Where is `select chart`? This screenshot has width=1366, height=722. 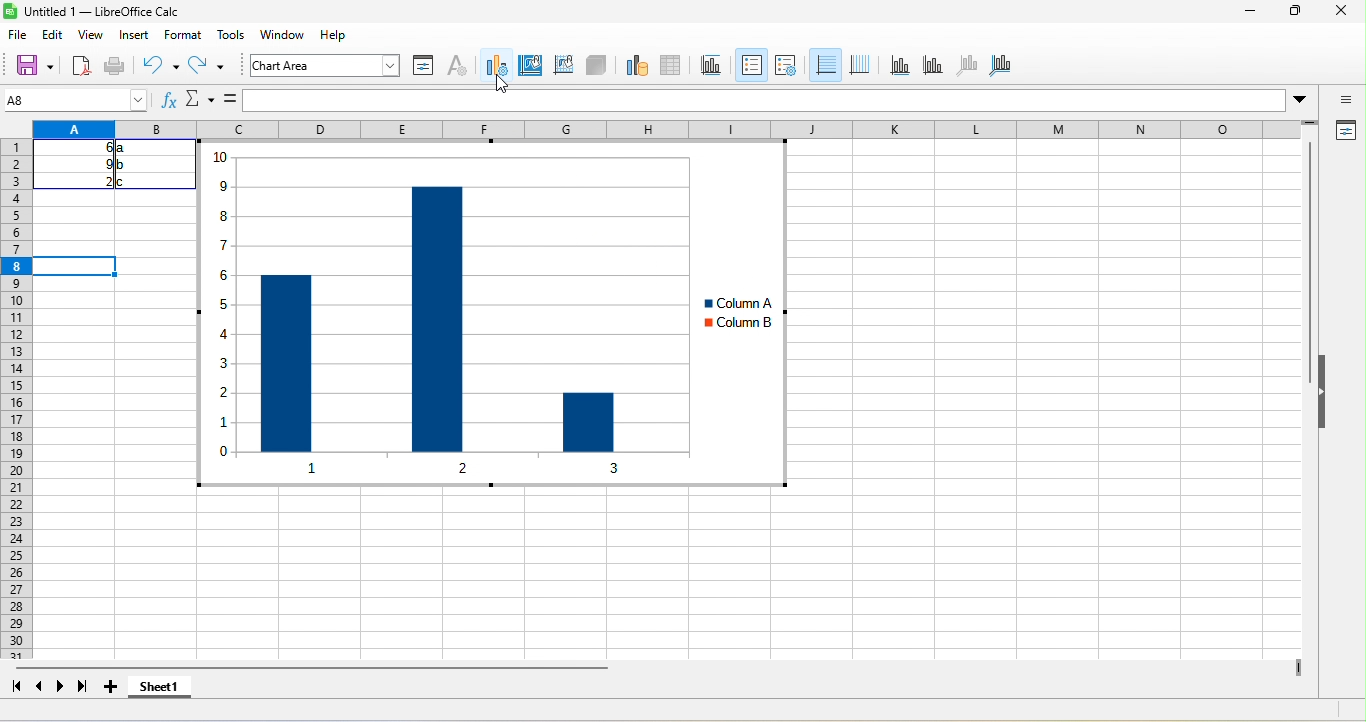 select chart is located at coordinates (496, 67).